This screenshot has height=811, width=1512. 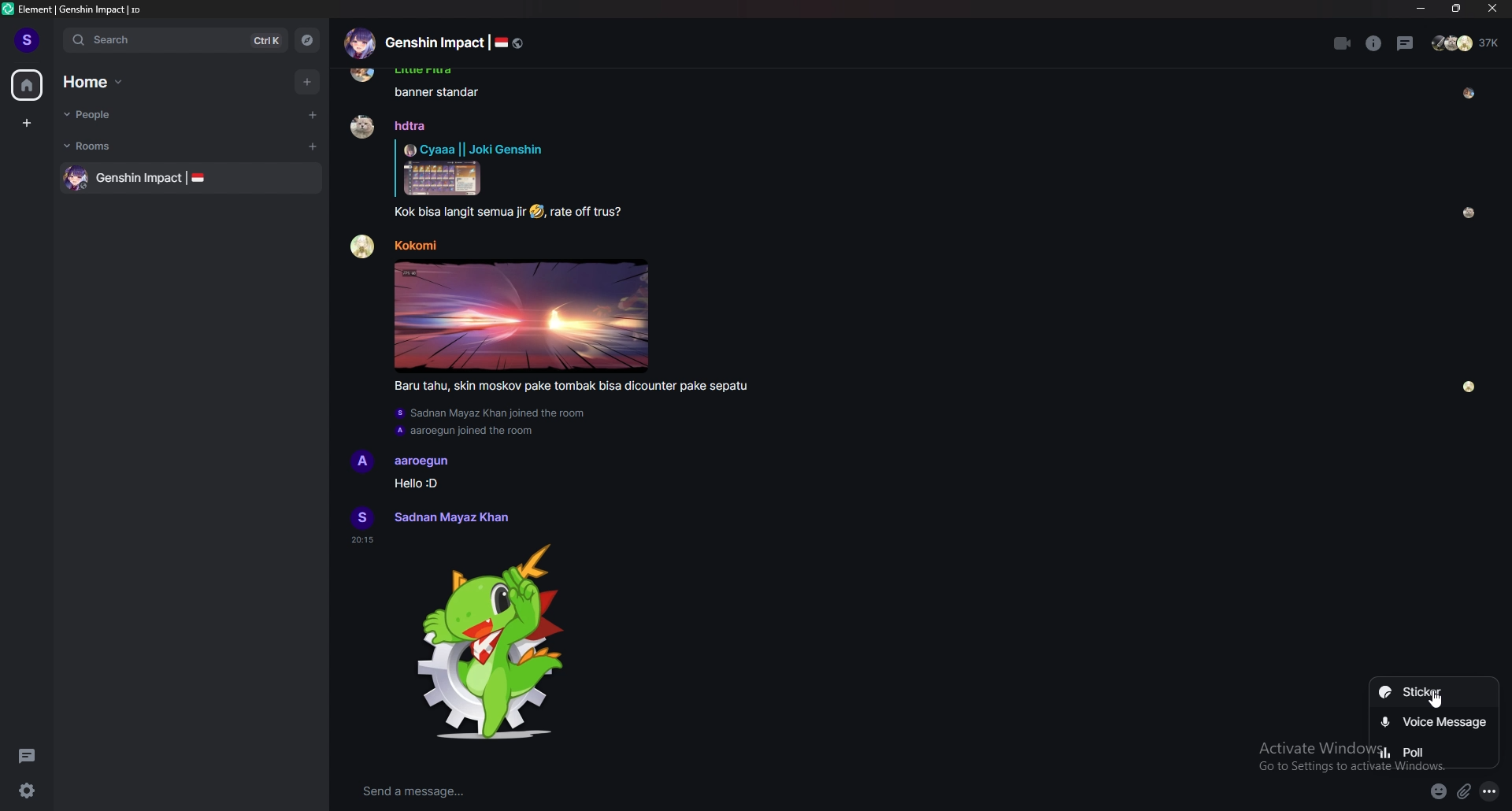 I want to click on Profile picture of group, so click(x=76, y=178).